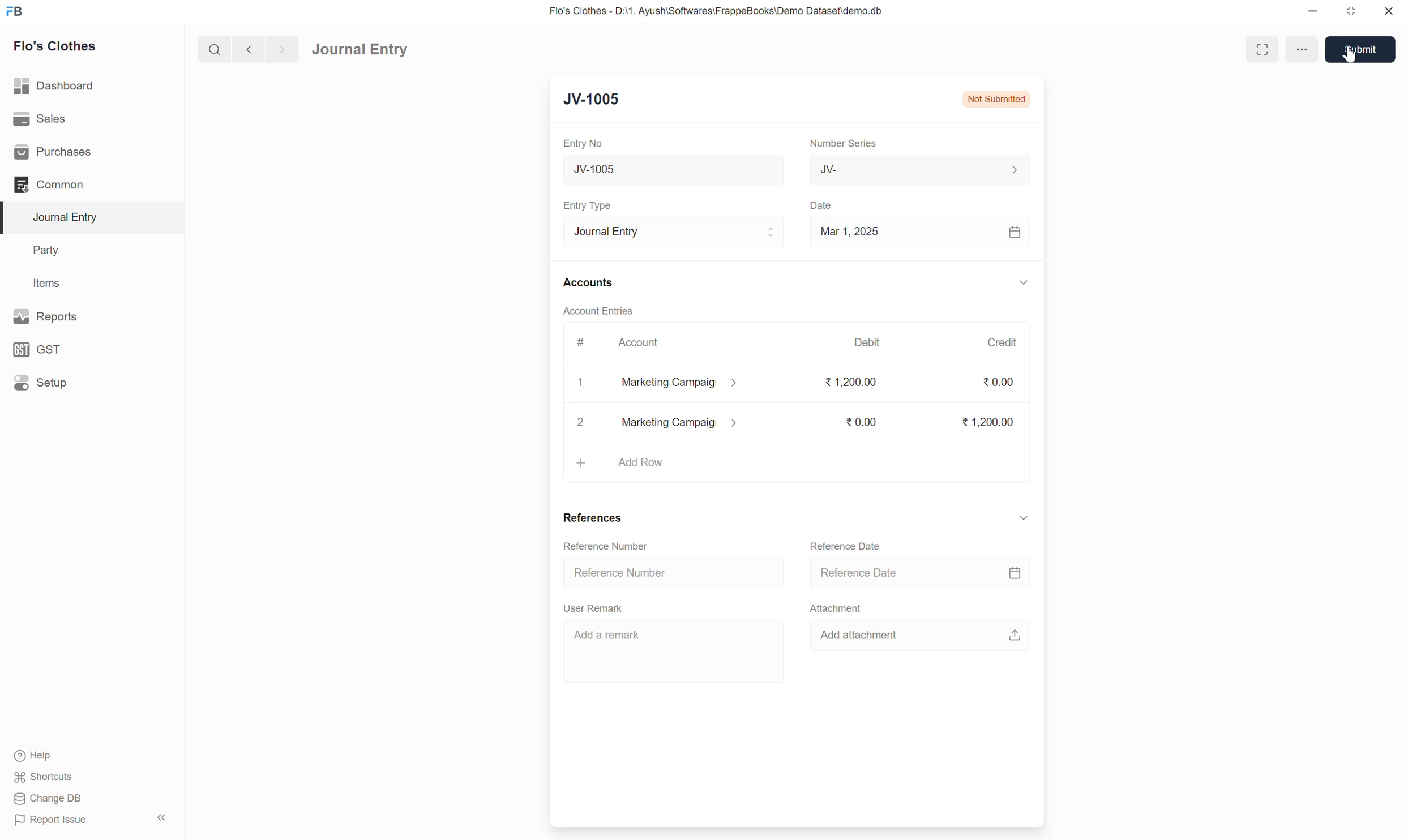 This screenshot has width=1408, height=840. What do you see at coordinates (591, 205) in the screenshot?
I see `Entry Type` at bounding box center [591, 205].